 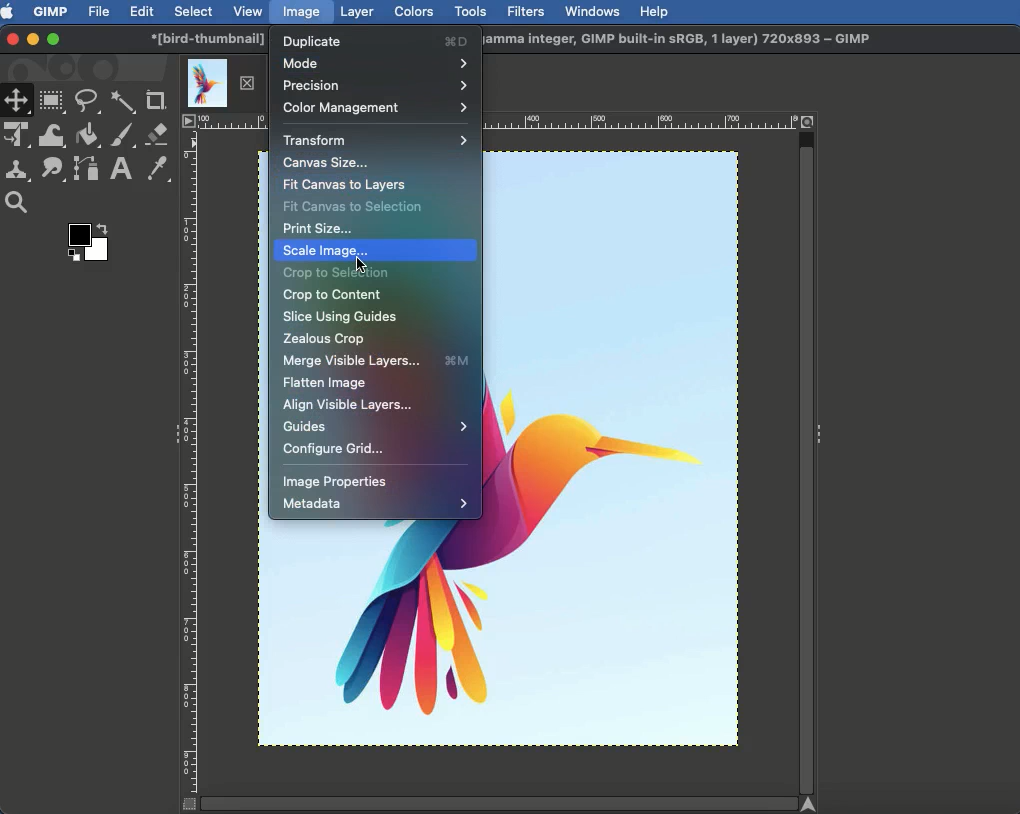 I want to click on Eraser, so click(x=158, y=134).